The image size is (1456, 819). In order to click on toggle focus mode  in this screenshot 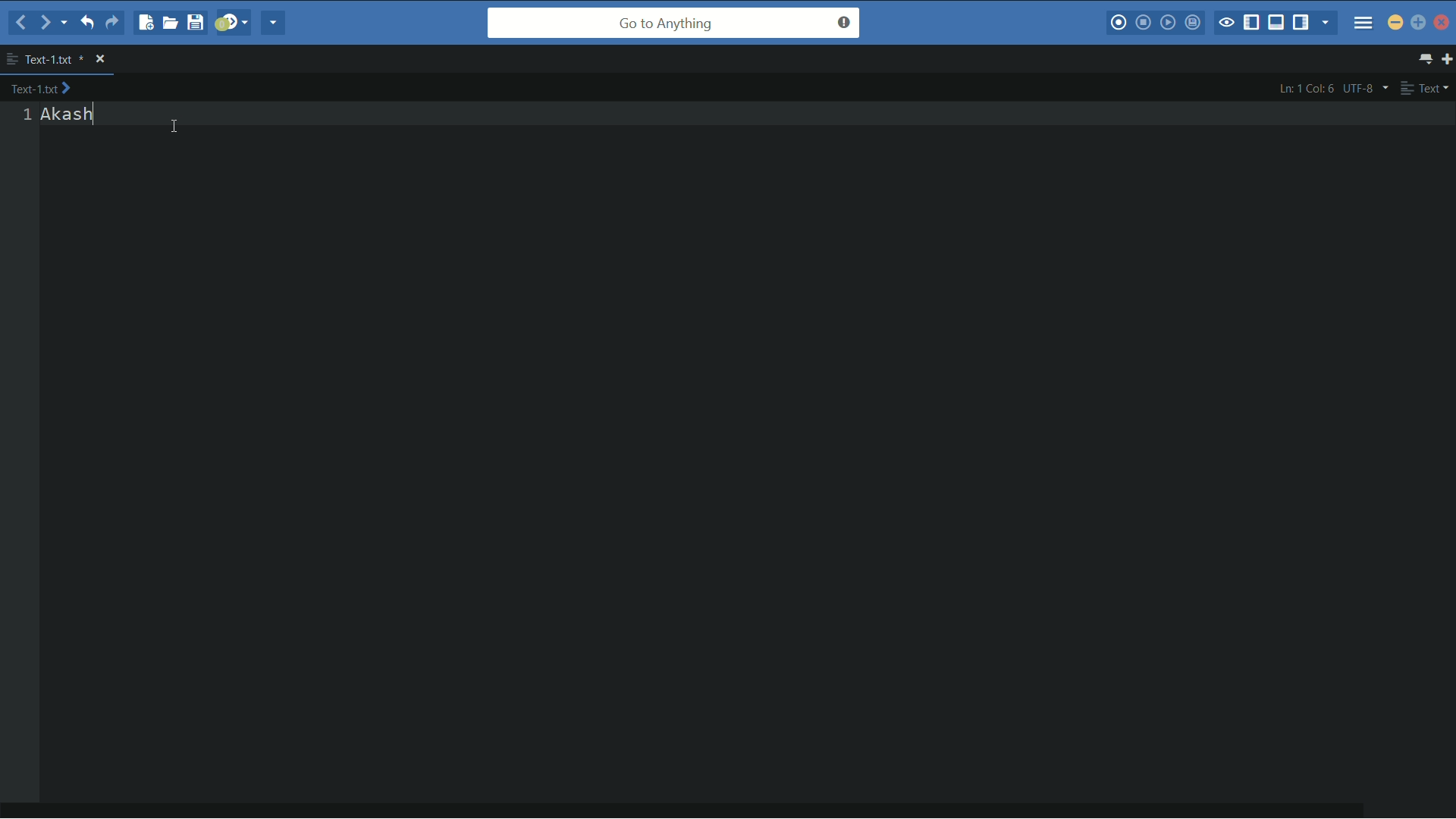, I will do `click(1225, 23)`.